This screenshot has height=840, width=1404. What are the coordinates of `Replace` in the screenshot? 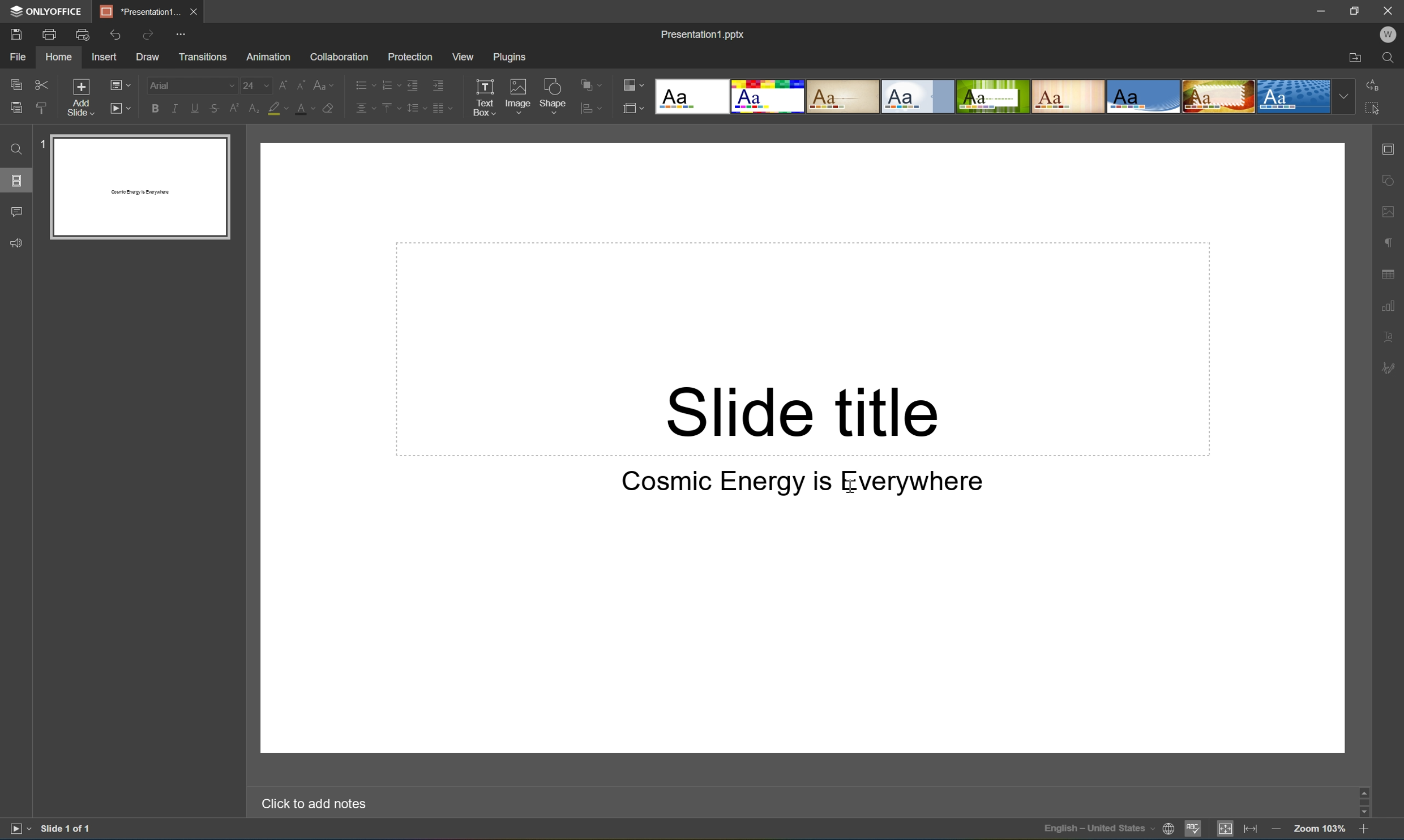 It's located at (1373, 84).